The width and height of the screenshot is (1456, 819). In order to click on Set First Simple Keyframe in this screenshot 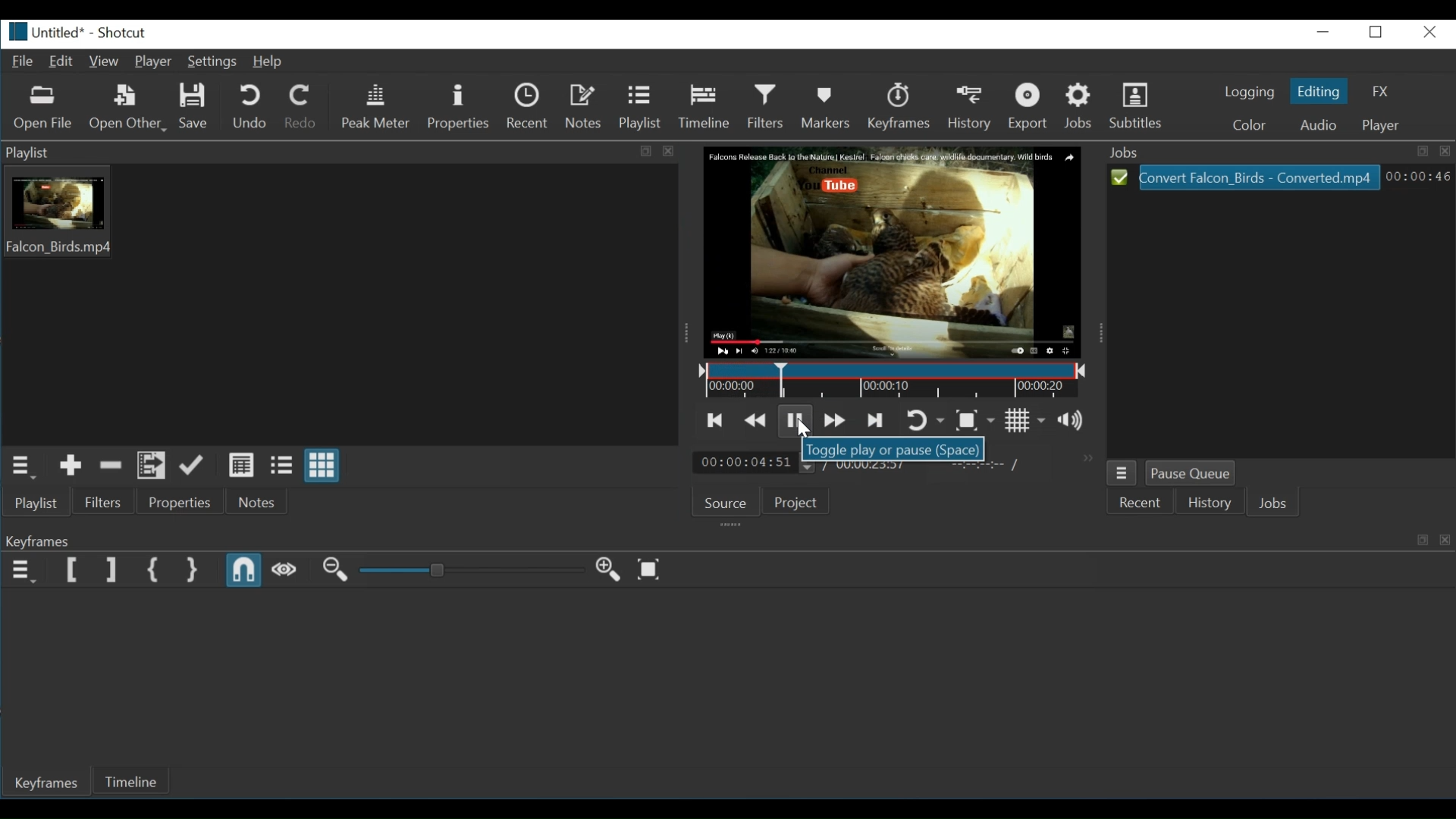, I will do `click(152, 571)`.